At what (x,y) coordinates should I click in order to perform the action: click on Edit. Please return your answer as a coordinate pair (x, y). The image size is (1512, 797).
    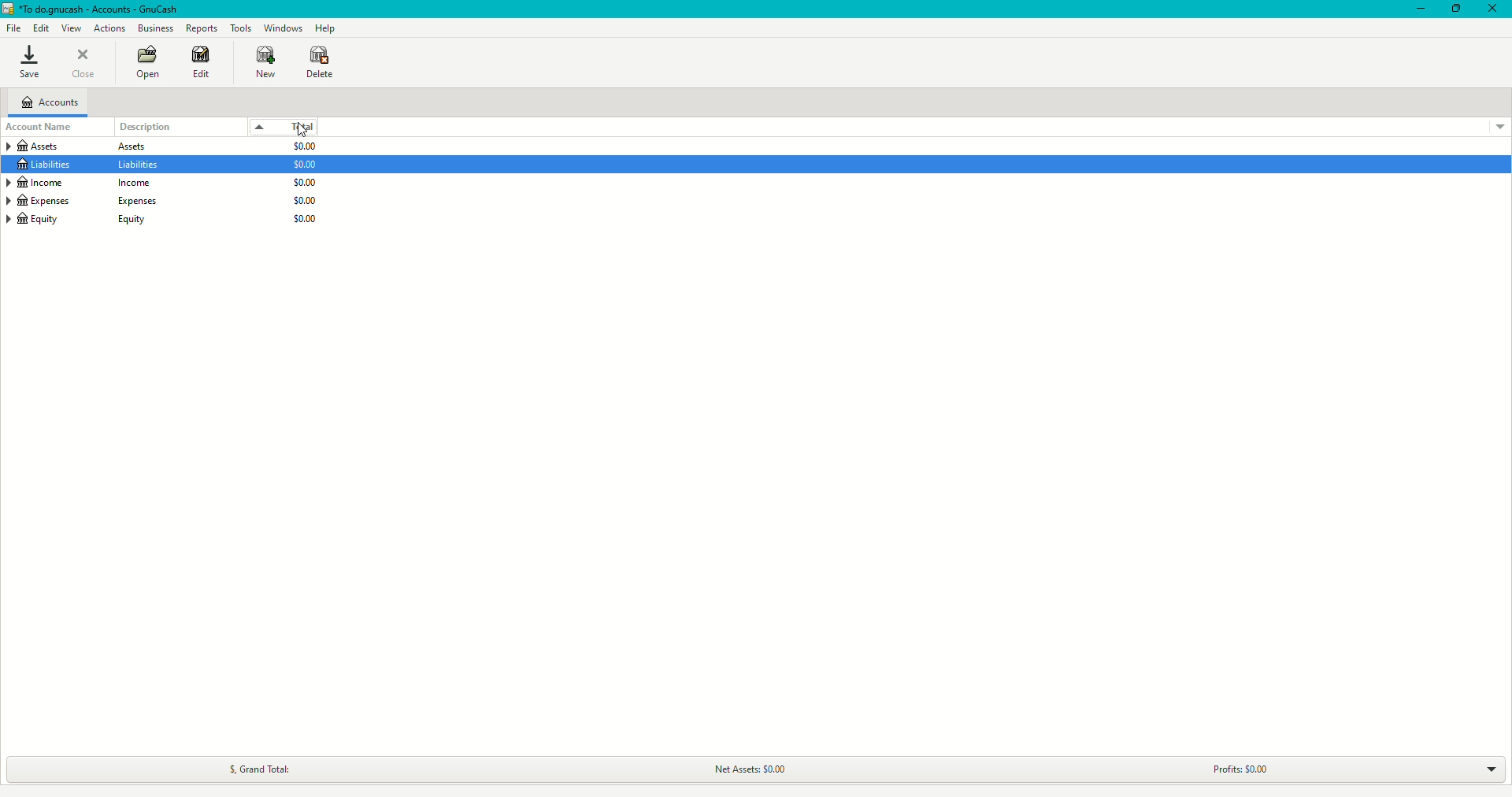
    Looking at the image, I should click on (202, 65).